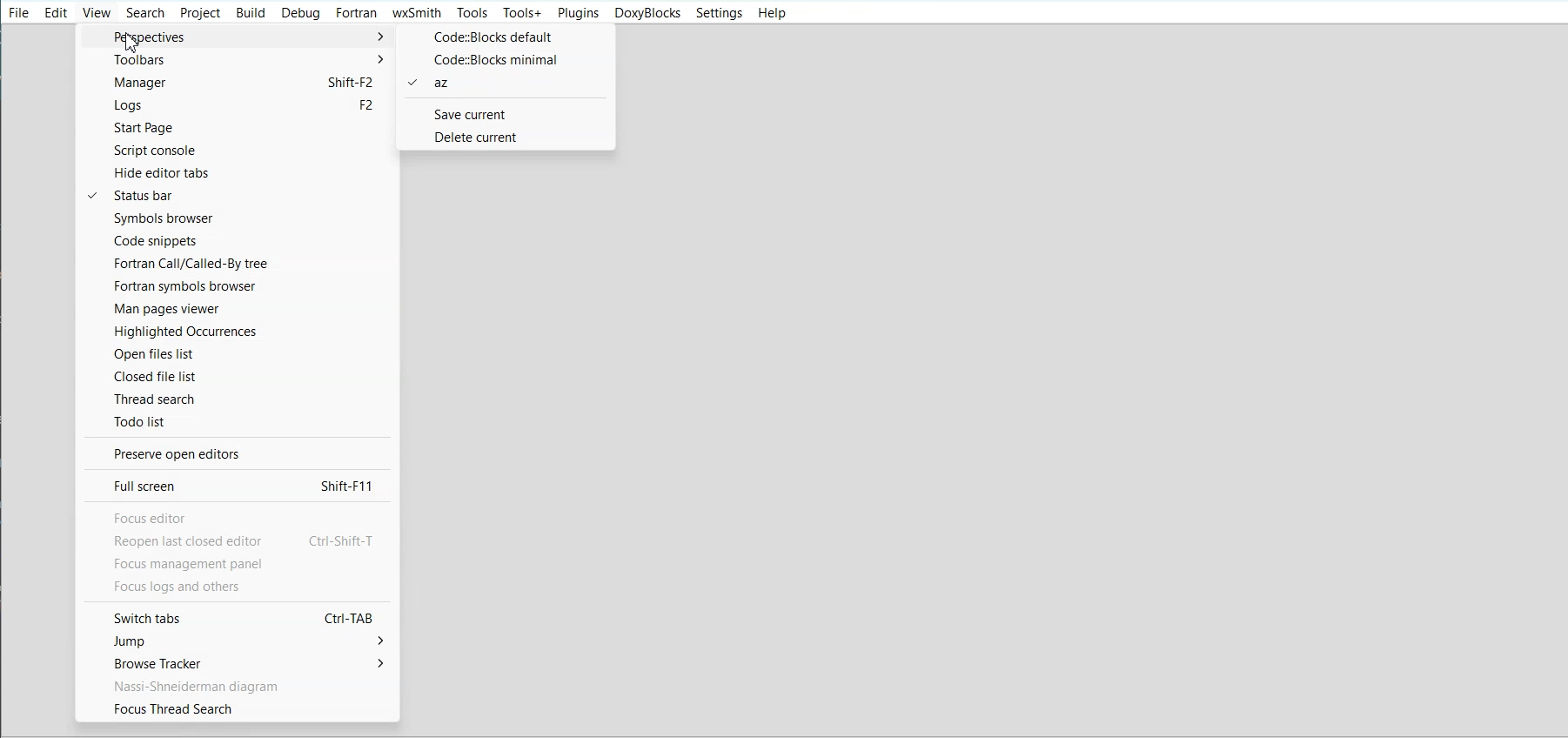  I want to click on Tools, so click(472, 12).